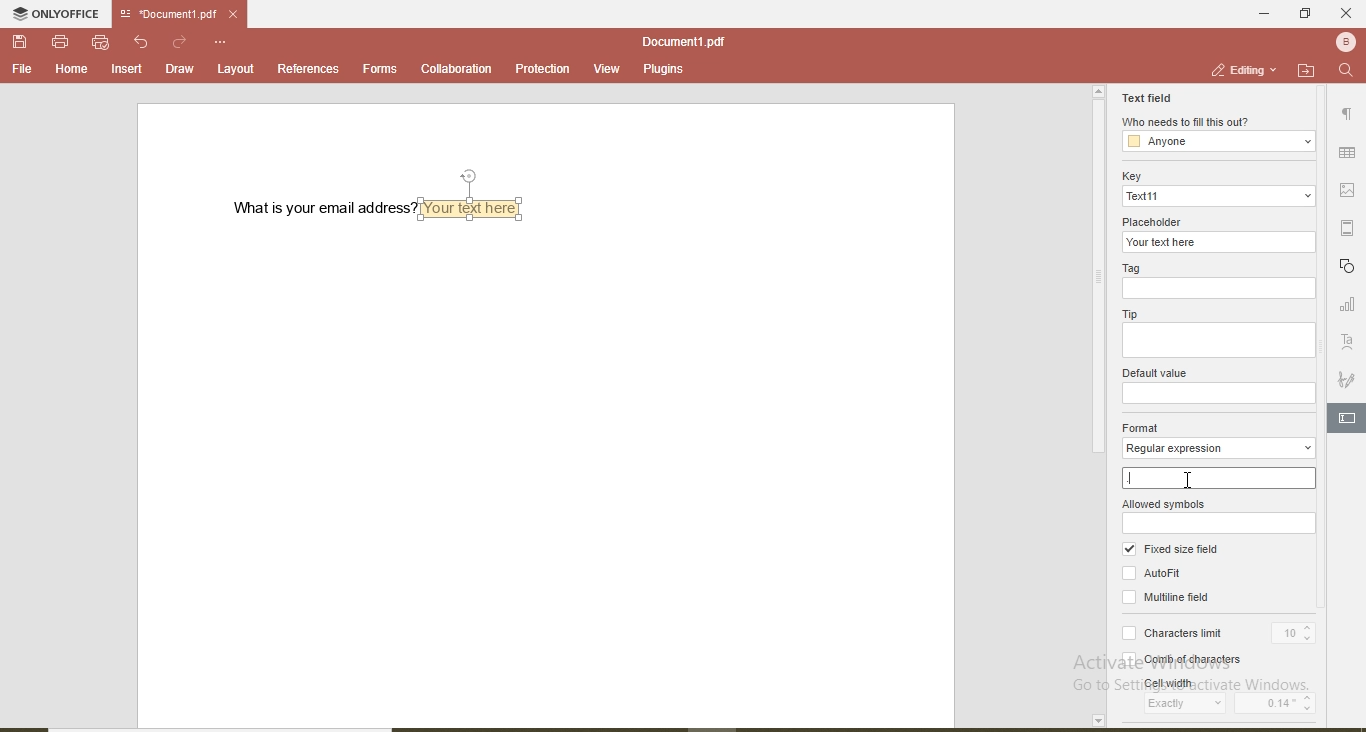 Image resolution: width=1366 pixels, height=732 pixels. What do you see at coordinates (1188, 480) in the screenshot?
I see `cursor` at bounding box center [1188, 480].